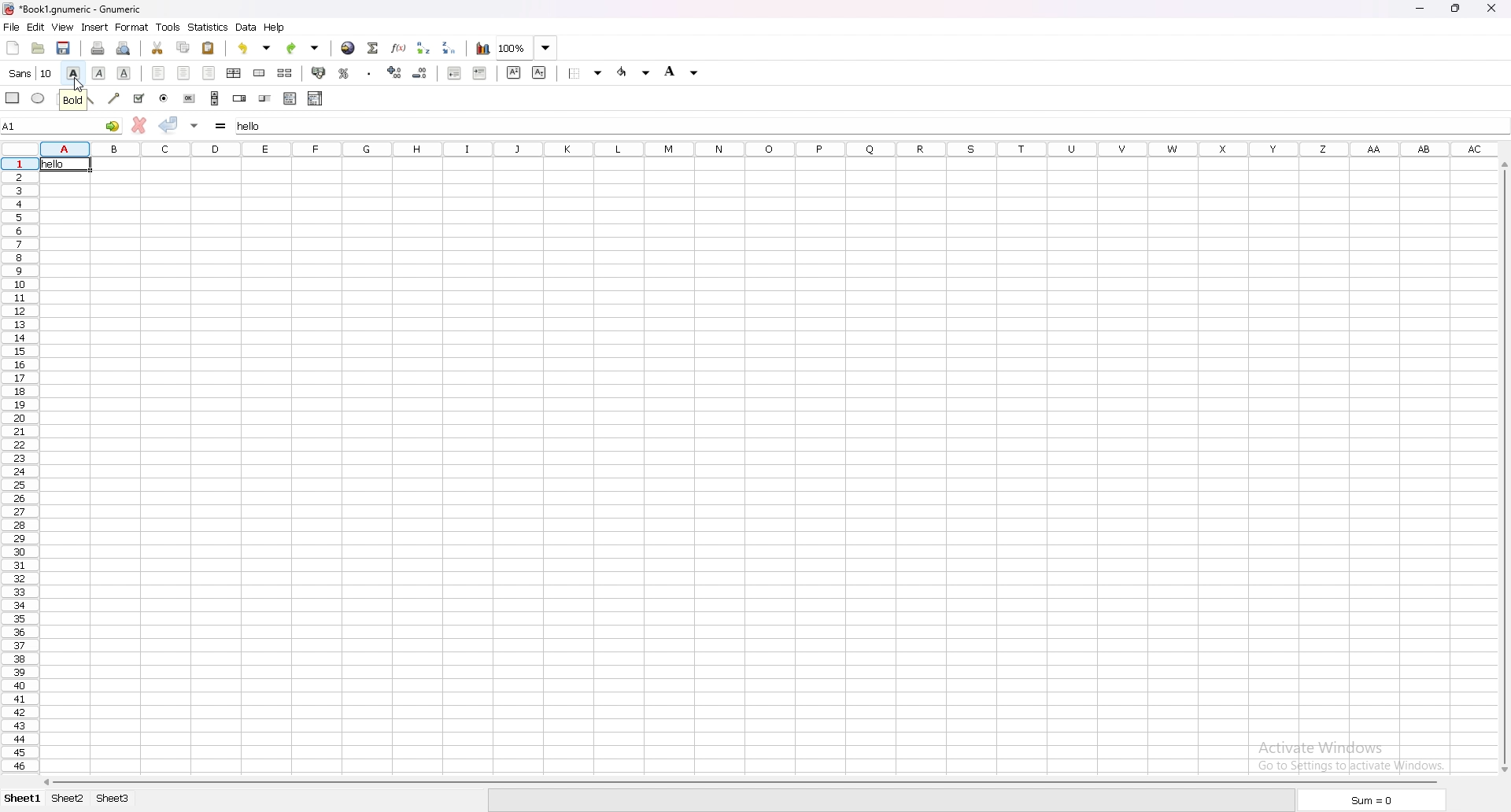 This screenshot has height=812, width=1511. Describe the element at coordinates (265, 99) in the screenshot. I see `slider` at that location.